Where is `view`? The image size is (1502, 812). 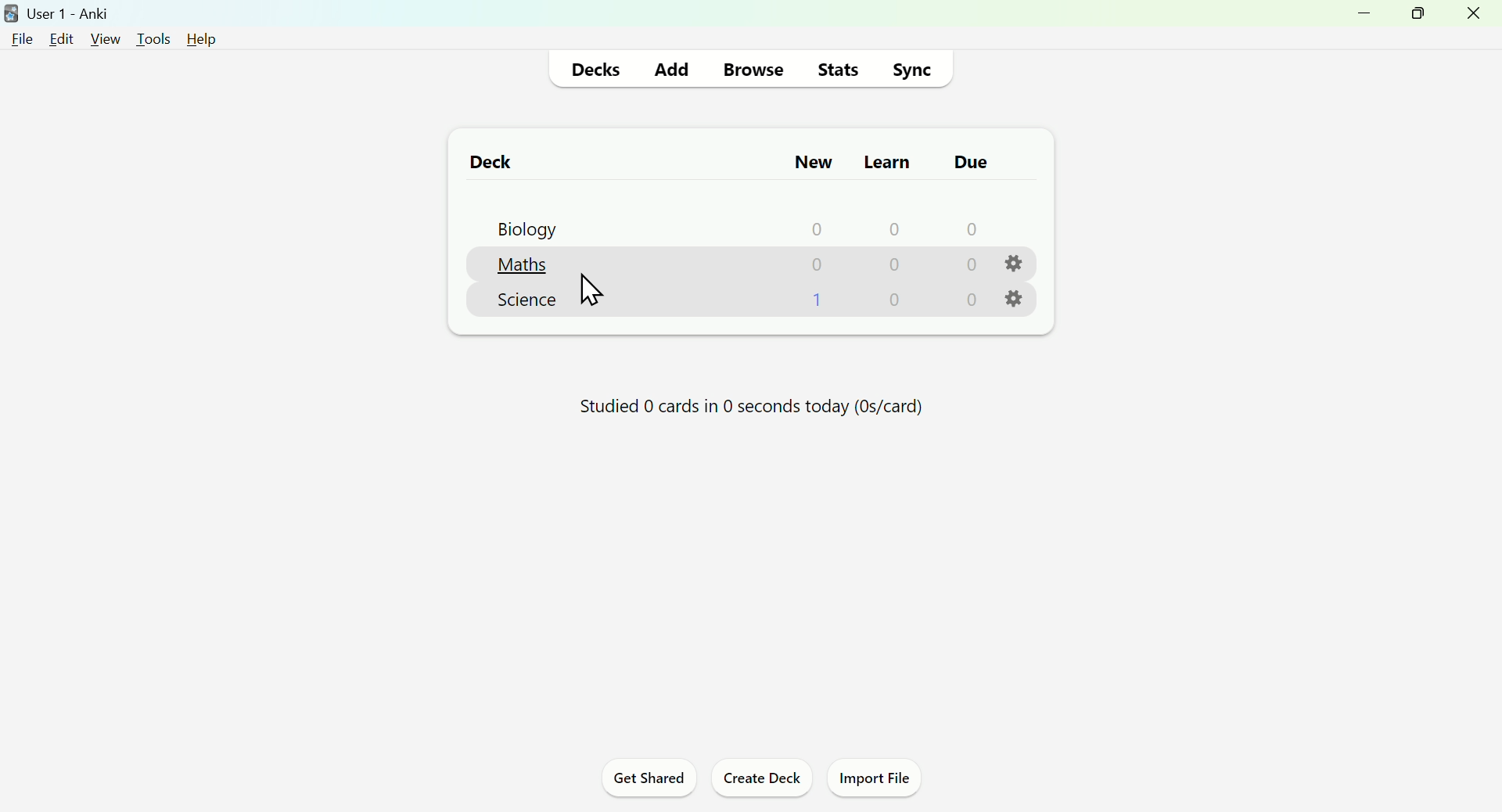
view is located at coordinates (104, 39).